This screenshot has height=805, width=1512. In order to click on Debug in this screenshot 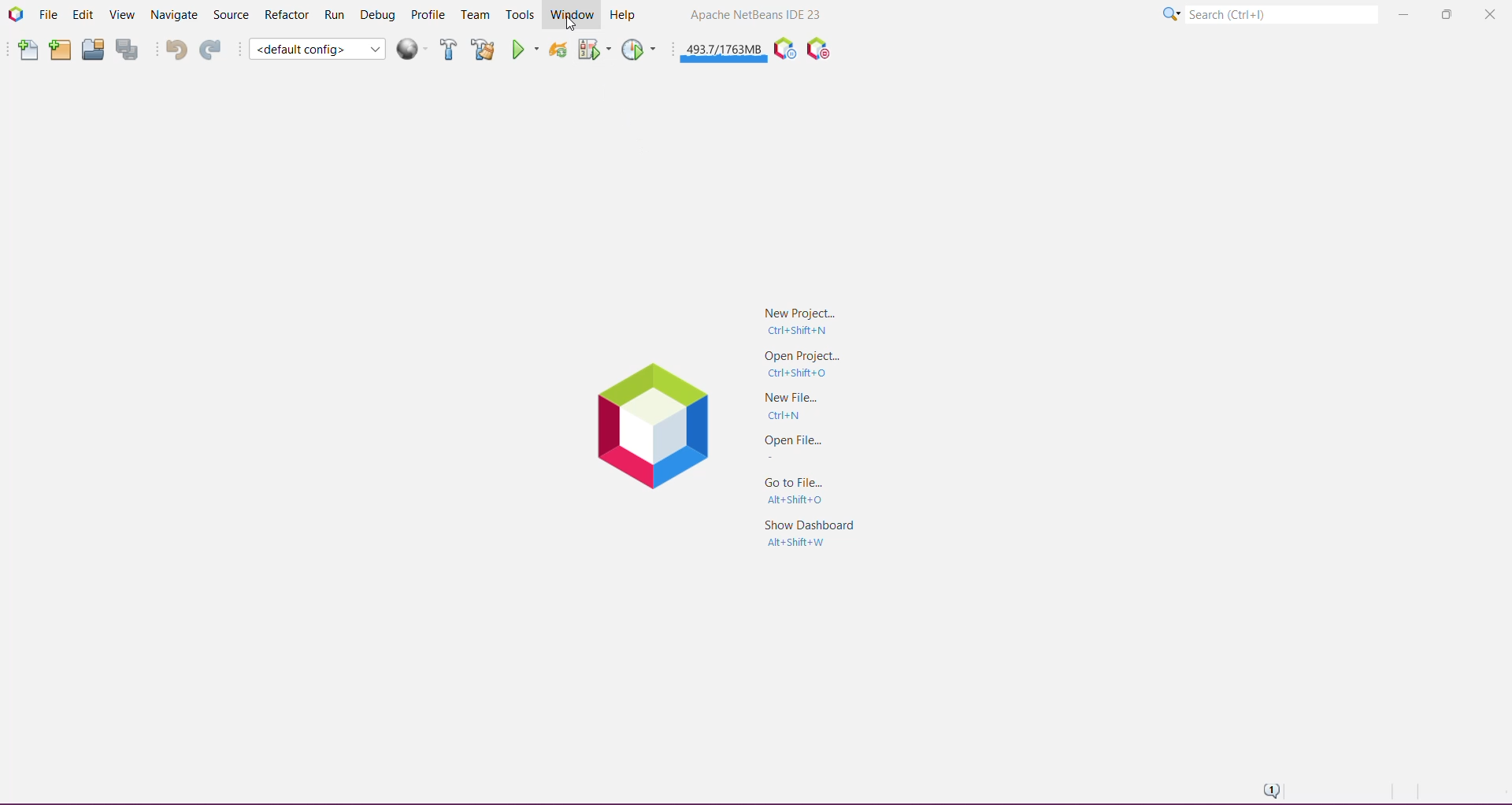, I will do `click(378, 13)`.